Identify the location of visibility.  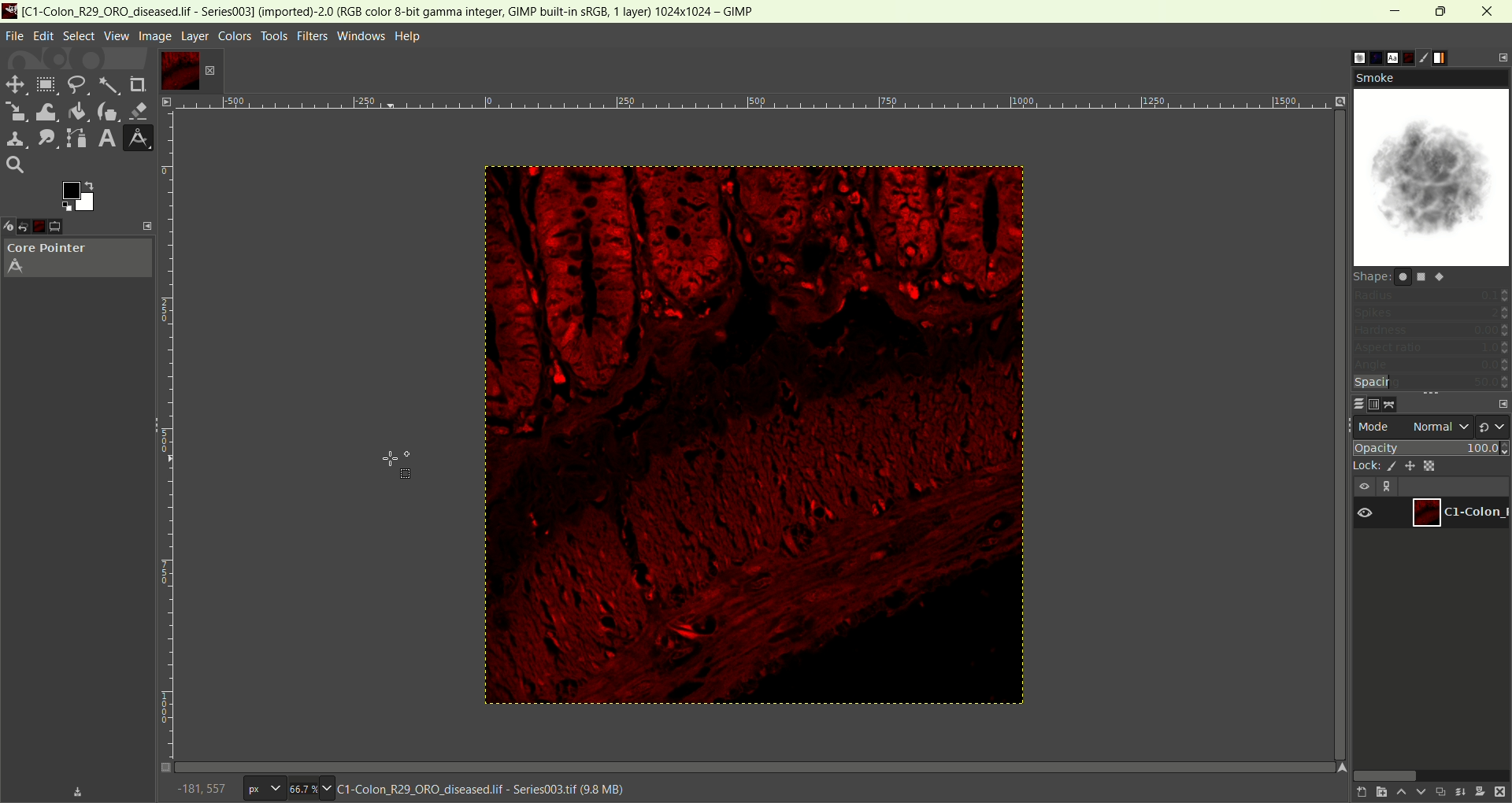
(1363, 487).